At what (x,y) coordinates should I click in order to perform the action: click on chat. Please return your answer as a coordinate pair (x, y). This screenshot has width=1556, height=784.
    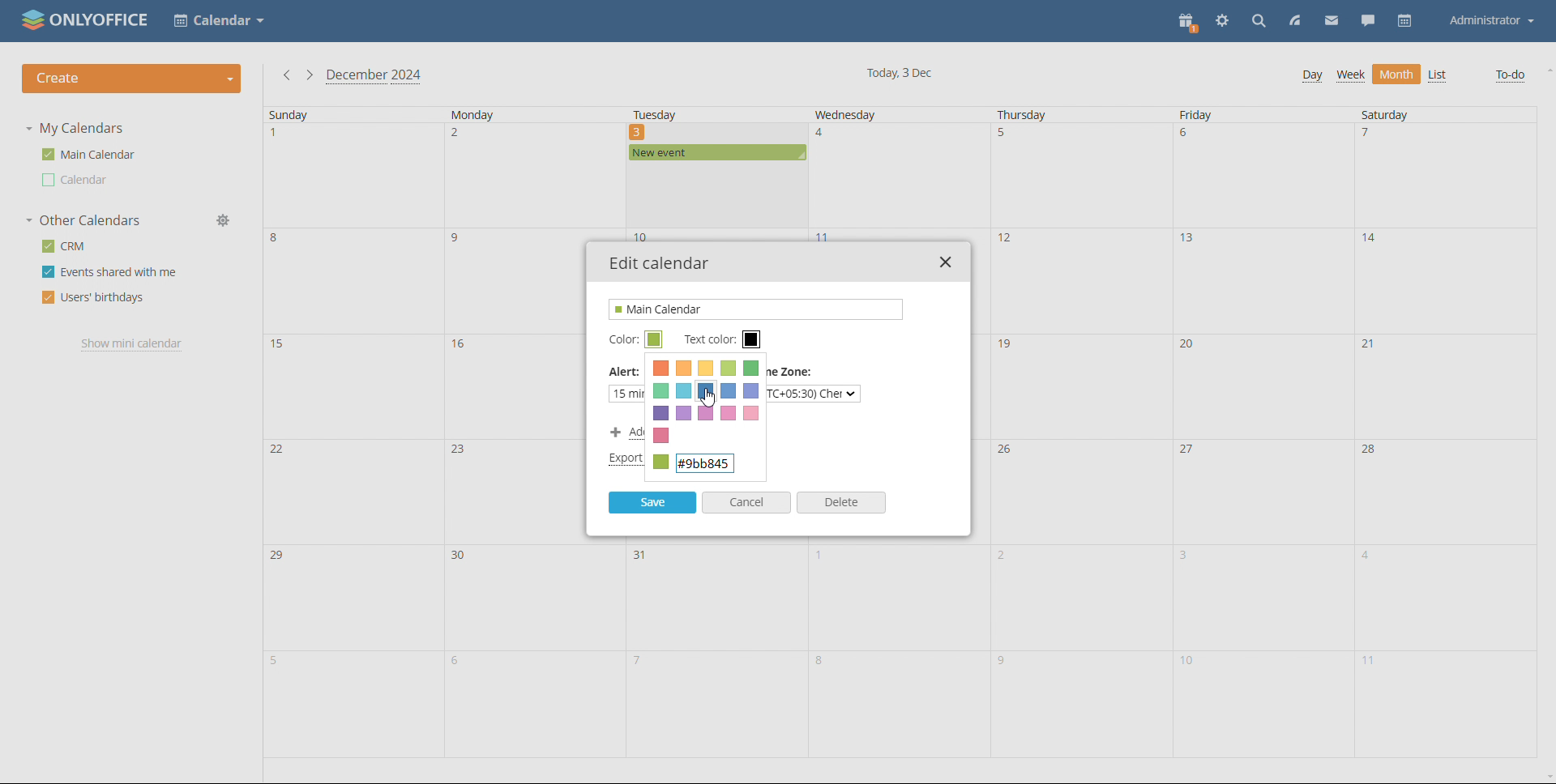
    Looking at the image, I should click on (1368, 22).